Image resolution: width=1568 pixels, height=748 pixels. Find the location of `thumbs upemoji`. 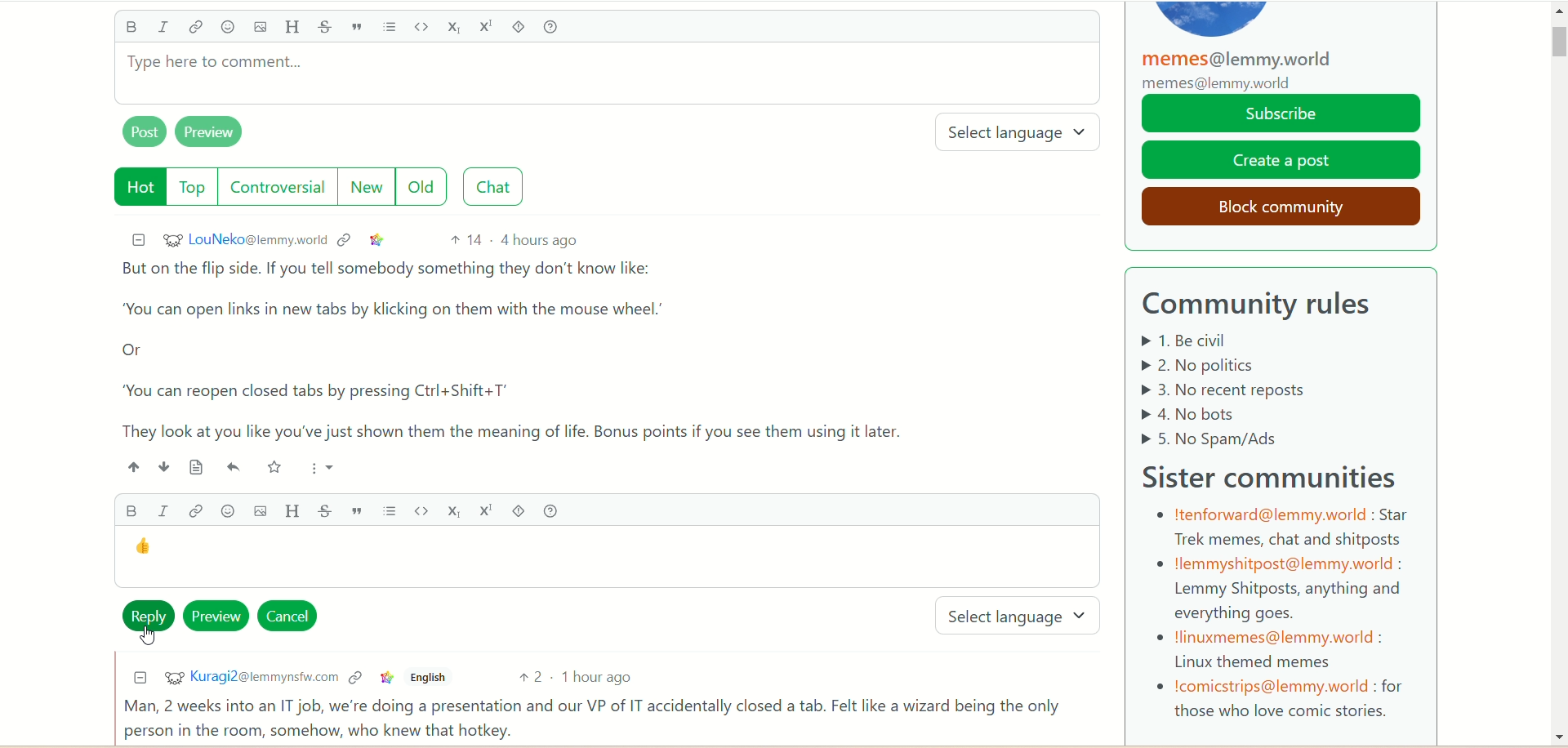

thumbs upemoji is located at coordinates (145, 549).